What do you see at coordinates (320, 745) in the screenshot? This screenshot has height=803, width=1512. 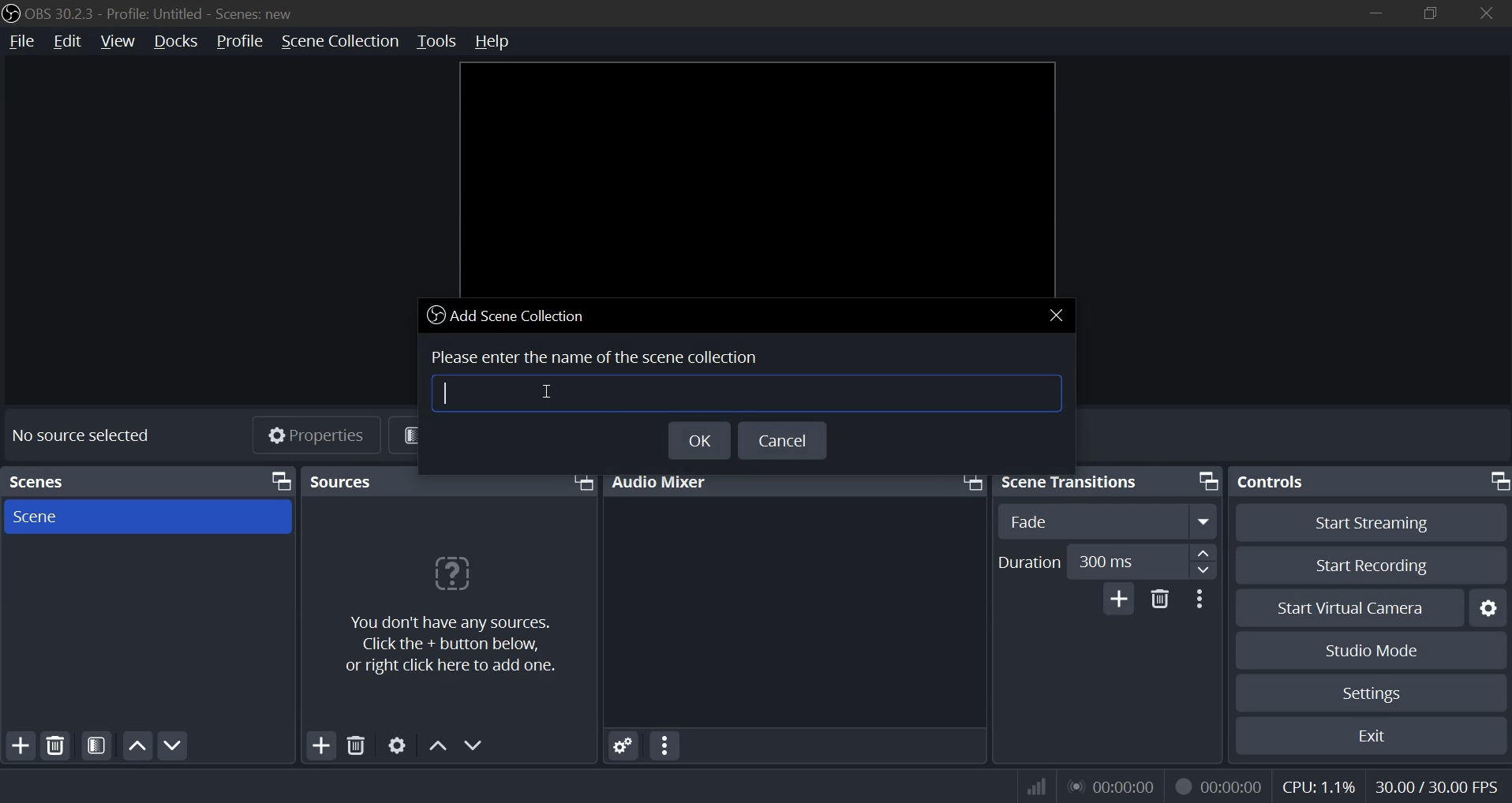 I see `add` at bounding box center [320, 745].